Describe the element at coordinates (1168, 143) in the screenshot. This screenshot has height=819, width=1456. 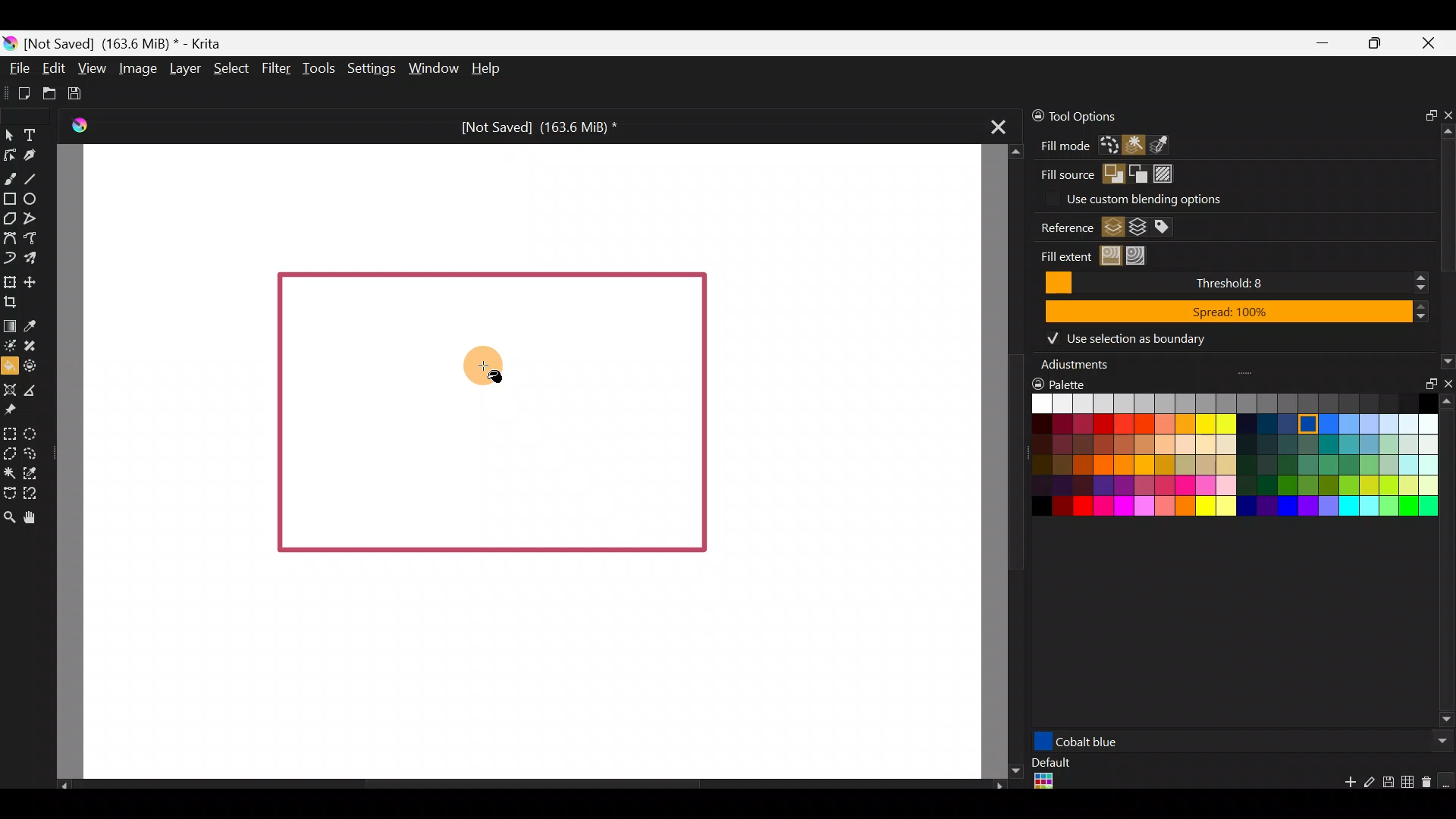
I see `Fill all regions of a similar color` at that location.